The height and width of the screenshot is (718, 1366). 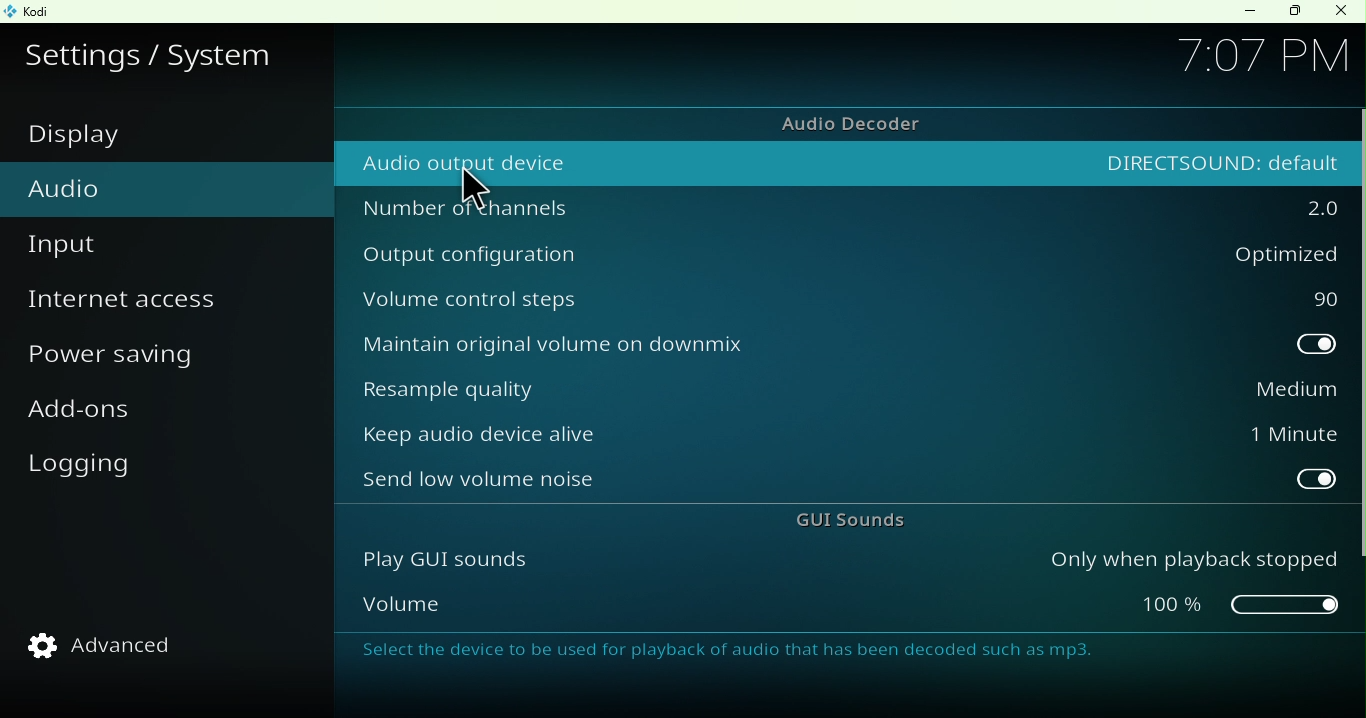 What do you see at coordinates (115, 652) in the screenshot?
I see `Advanced` at bounding box center [115, 652].